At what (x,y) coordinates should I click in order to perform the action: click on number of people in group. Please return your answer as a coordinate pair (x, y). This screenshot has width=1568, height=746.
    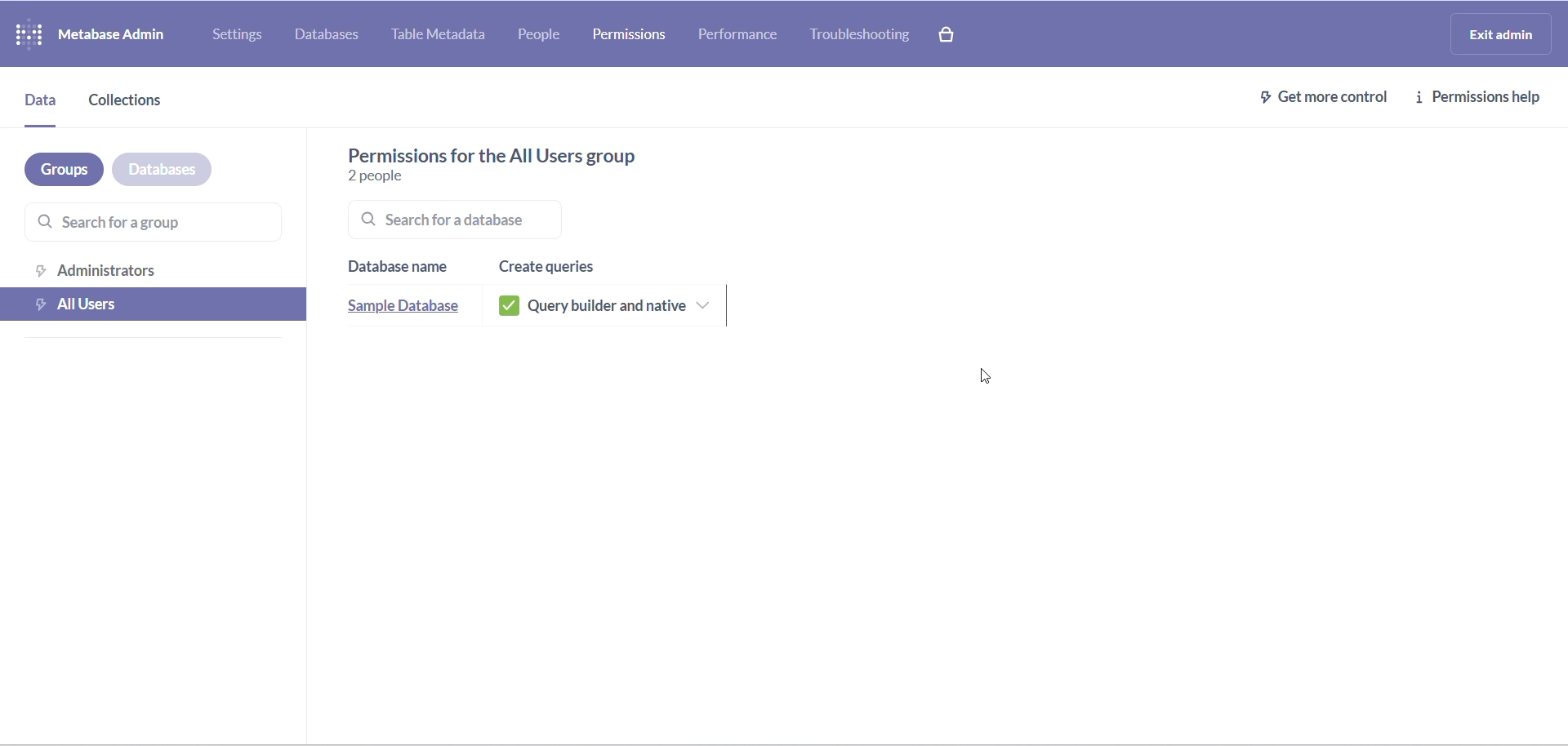
    Looking at the image, I should click on (400, 179).